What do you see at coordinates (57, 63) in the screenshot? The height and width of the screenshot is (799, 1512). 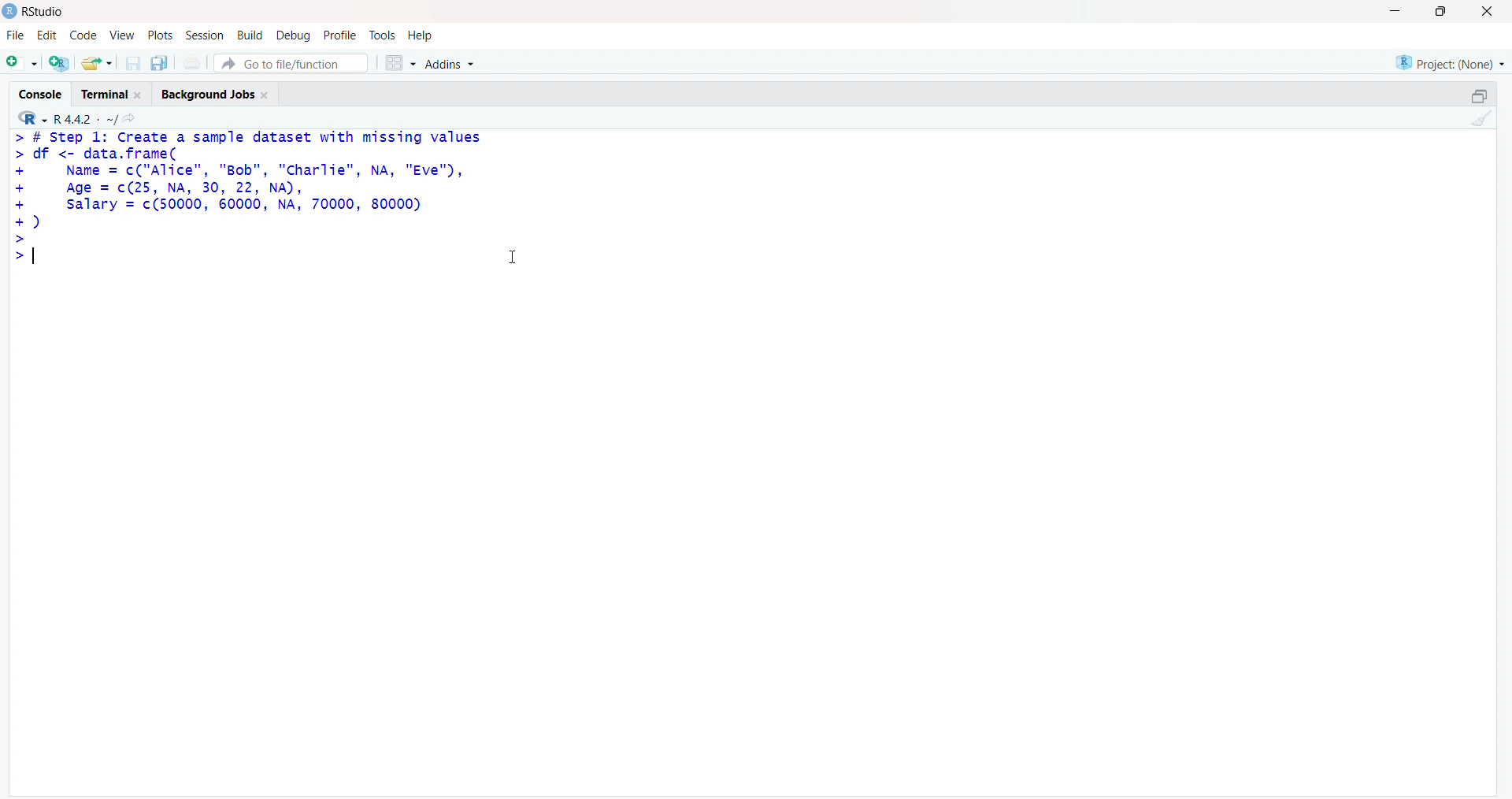 I see `Create a project` at bounding box center [57, 63].